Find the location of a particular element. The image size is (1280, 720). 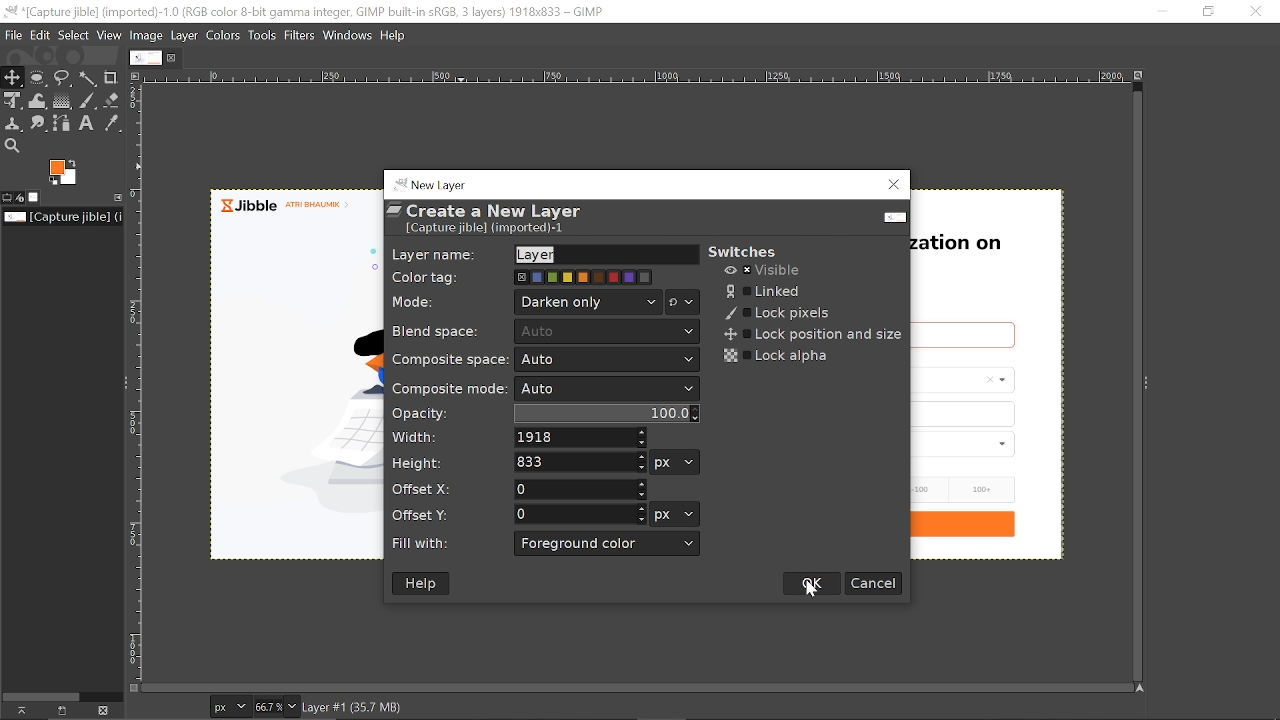

Help is located at coordinates (420, 582).